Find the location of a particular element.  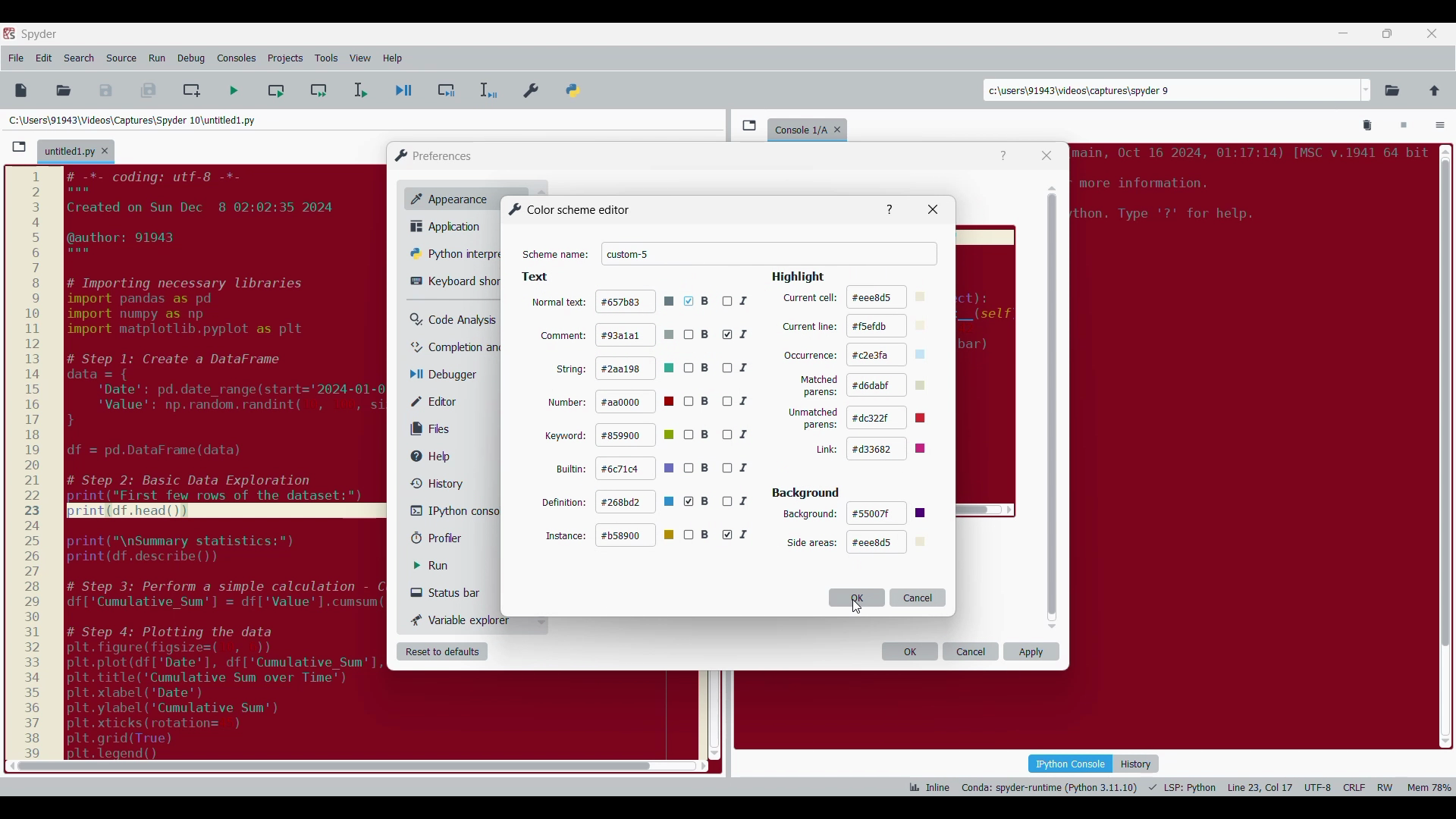

Browse tabs is located at coordinates (749, 125).